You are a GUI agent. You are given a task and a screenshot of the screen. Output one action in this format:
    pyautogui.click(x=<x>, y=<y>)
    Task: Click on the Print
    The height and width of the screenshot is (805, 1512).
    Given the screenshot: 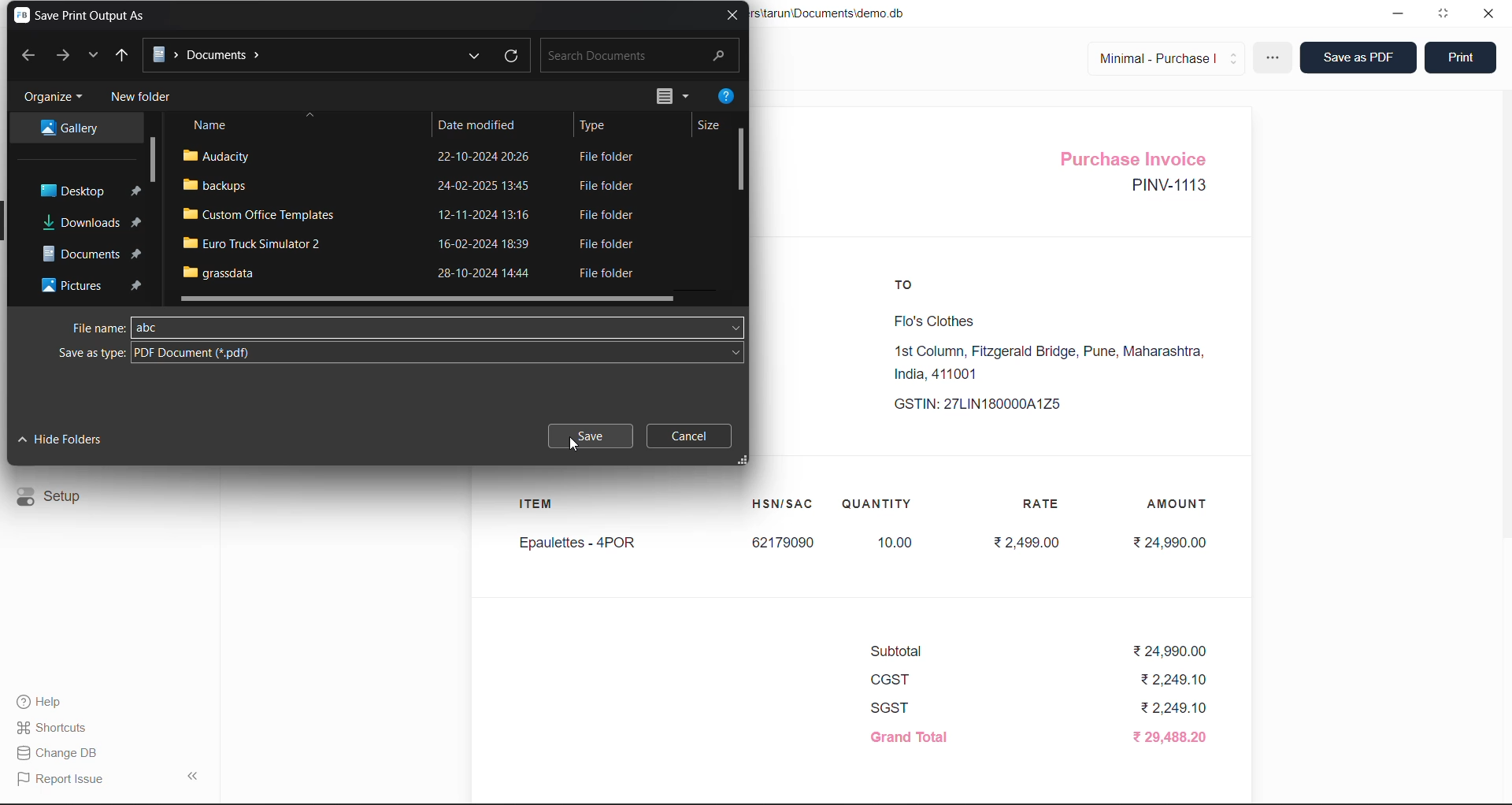 What is the action you would take?
    pyautogui.click(x=1460, y=54)
    